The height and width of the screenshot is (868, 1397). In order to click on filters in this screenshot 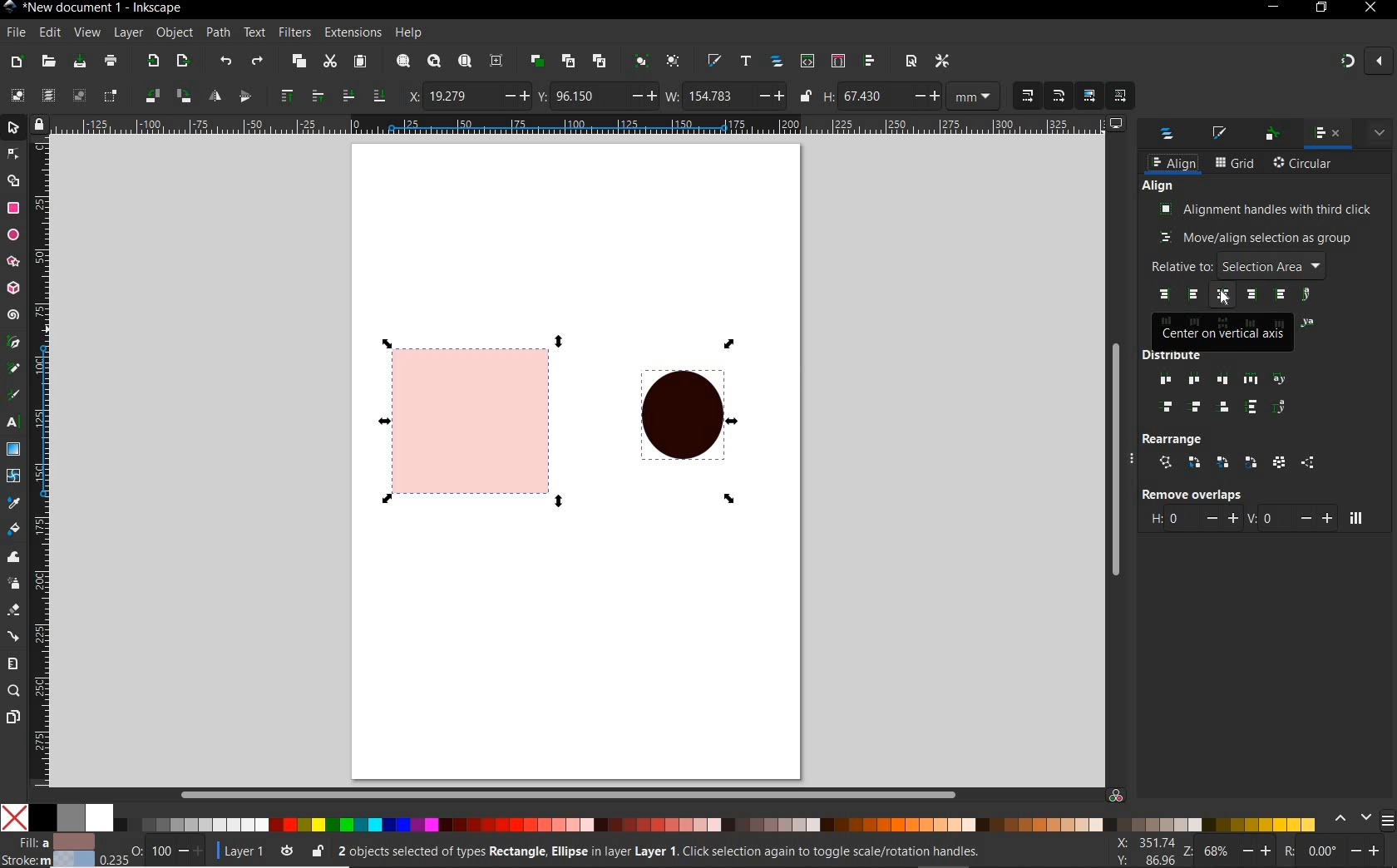, I will do `click(294, 33)`.